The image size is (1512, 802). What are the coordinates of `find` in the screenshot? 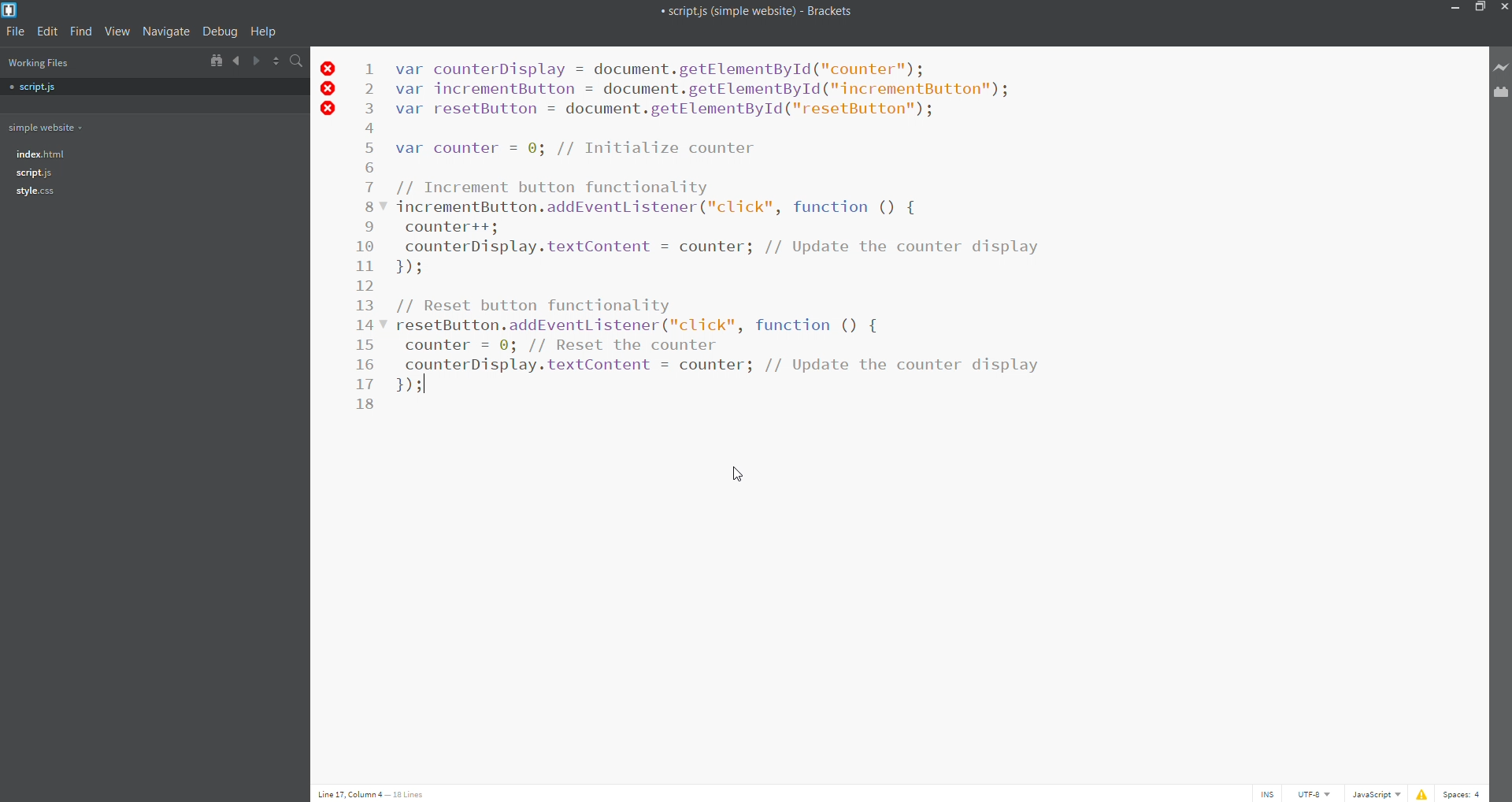 It's located at (81, 32).